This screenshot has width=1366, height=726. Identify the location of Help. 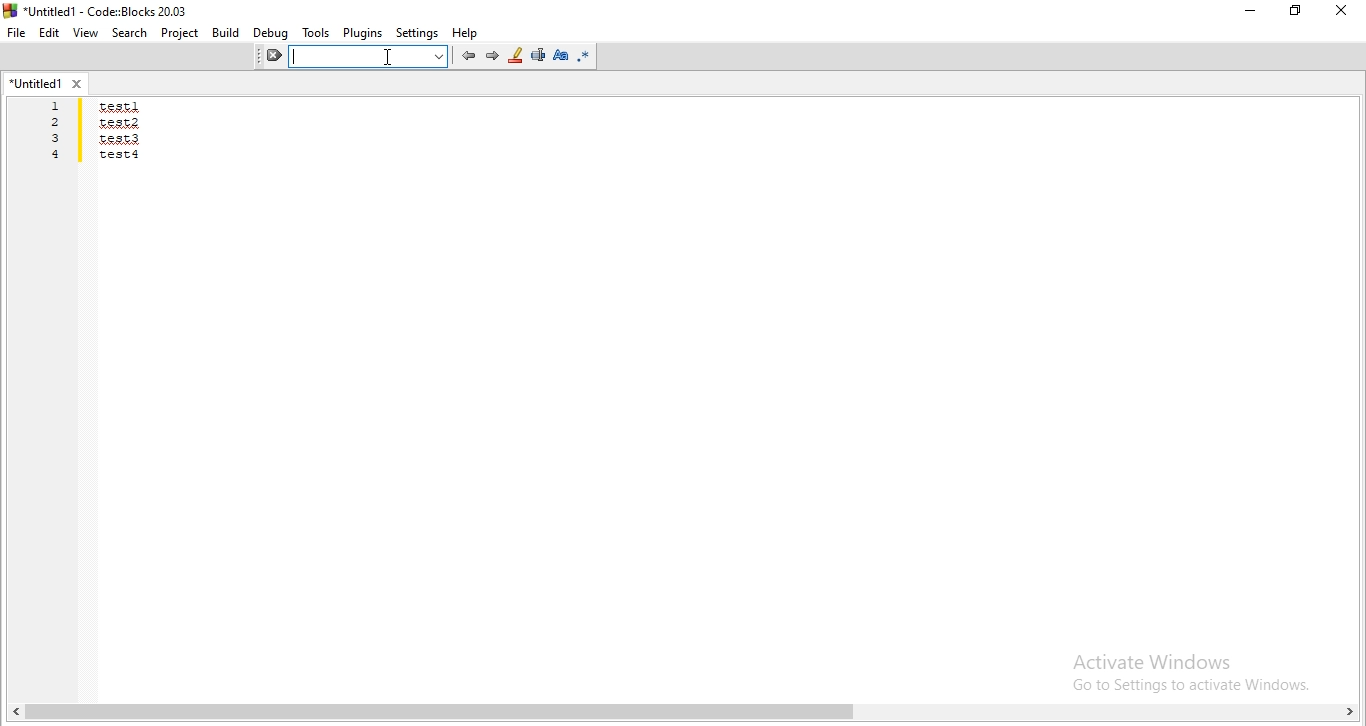
(467, 33).